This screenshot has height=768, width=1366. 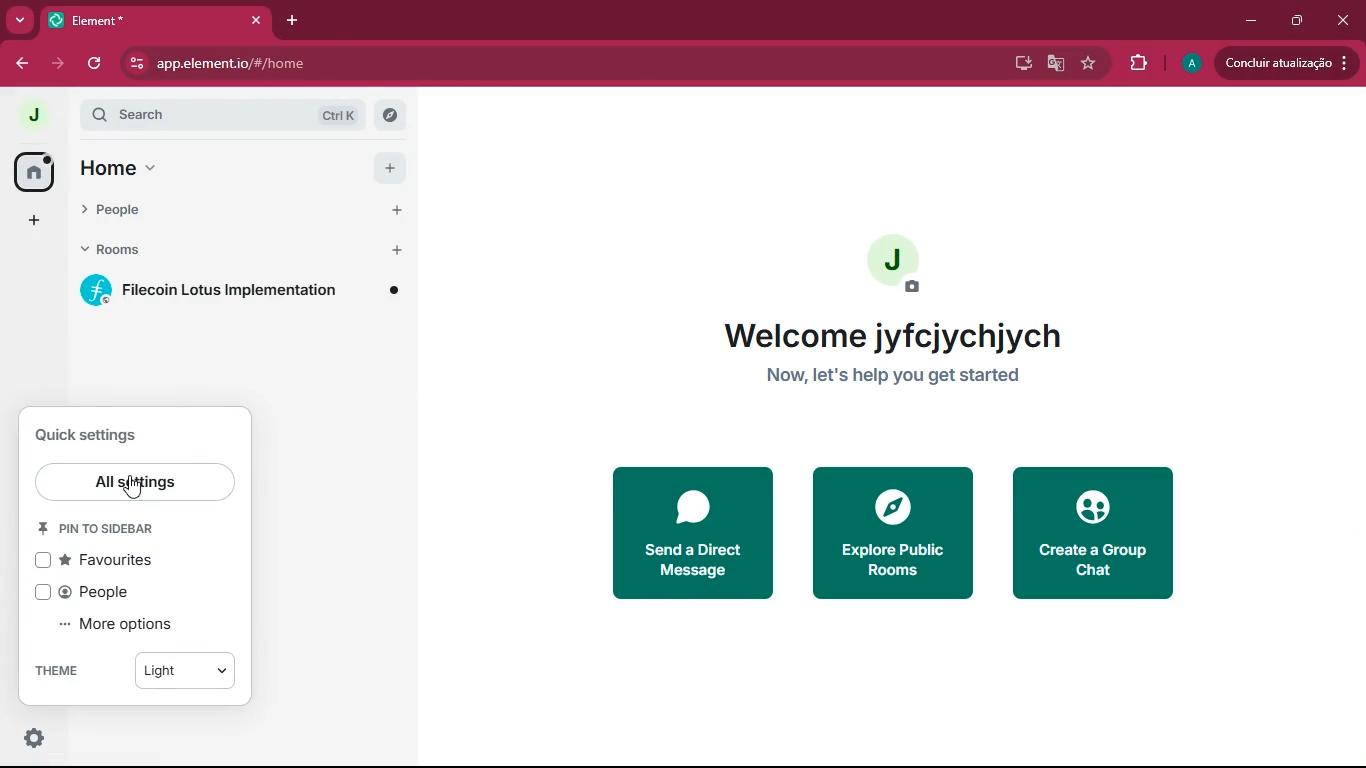 I want to click on maximize, so click(x=1293, y=21).